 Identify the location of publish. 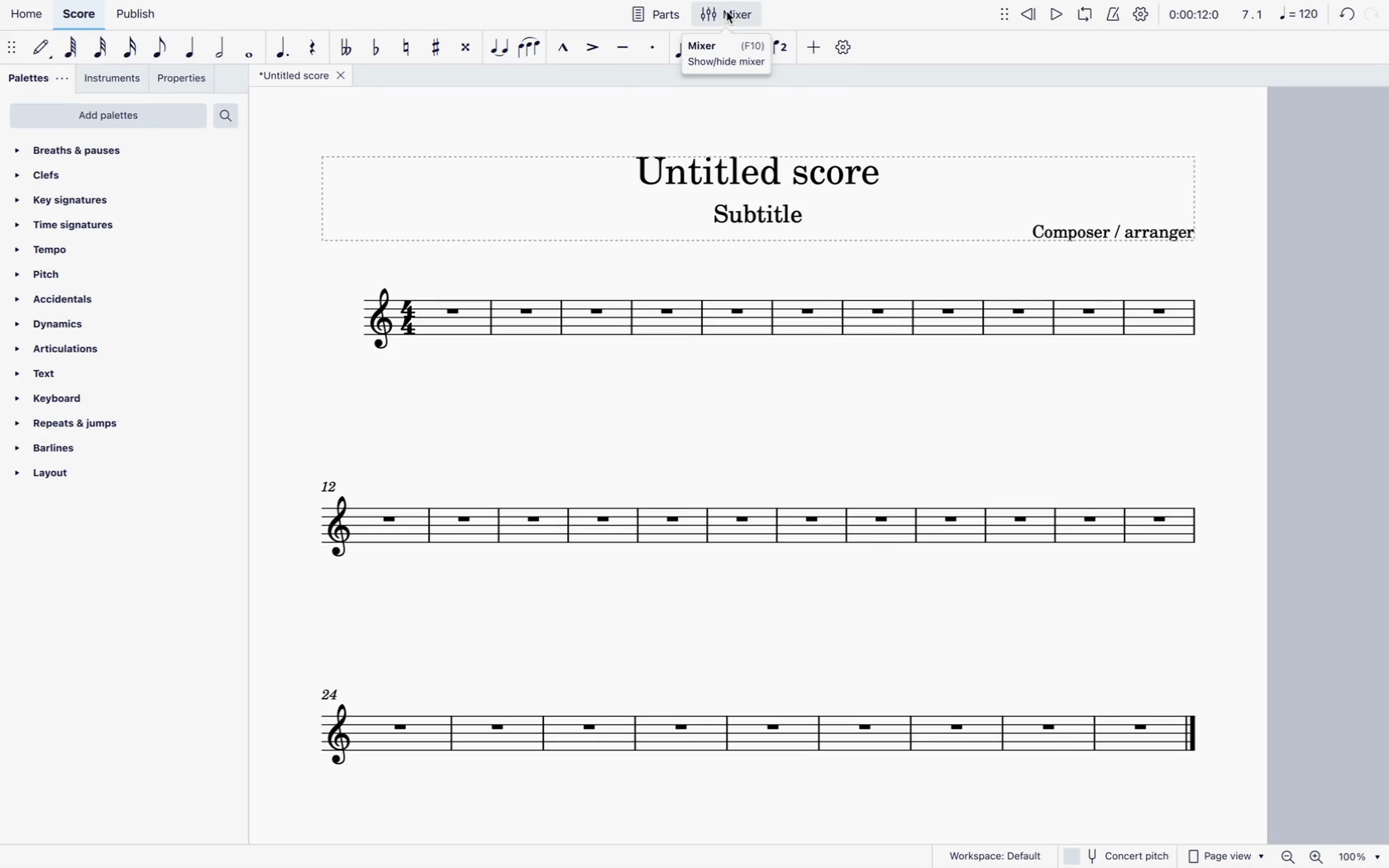
(135, 16).